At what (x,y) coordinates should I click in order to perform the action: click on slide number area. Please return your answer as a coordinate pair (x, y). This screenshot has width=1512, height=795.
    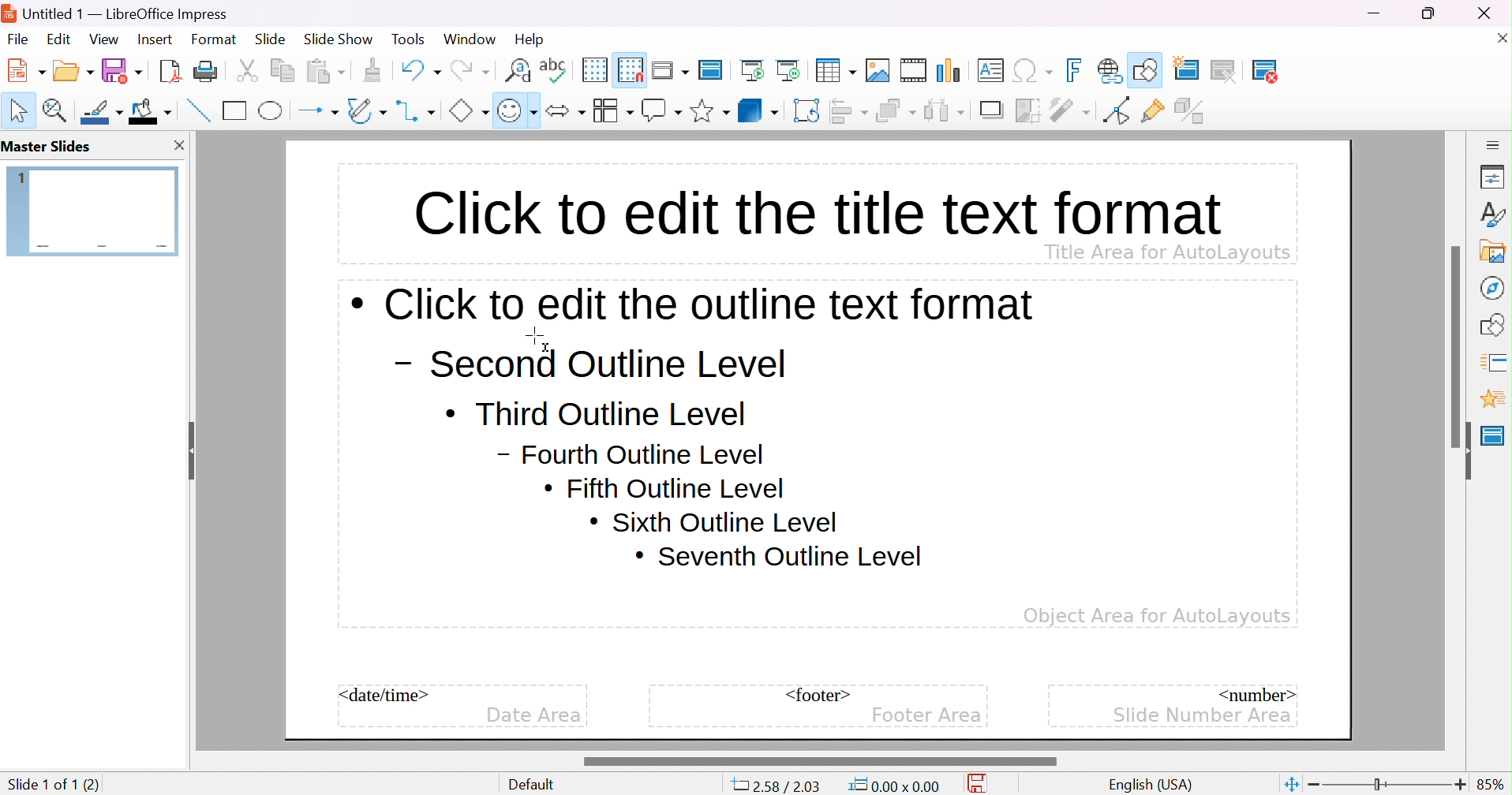
    Looking at the image, I should click on (1203, 714).